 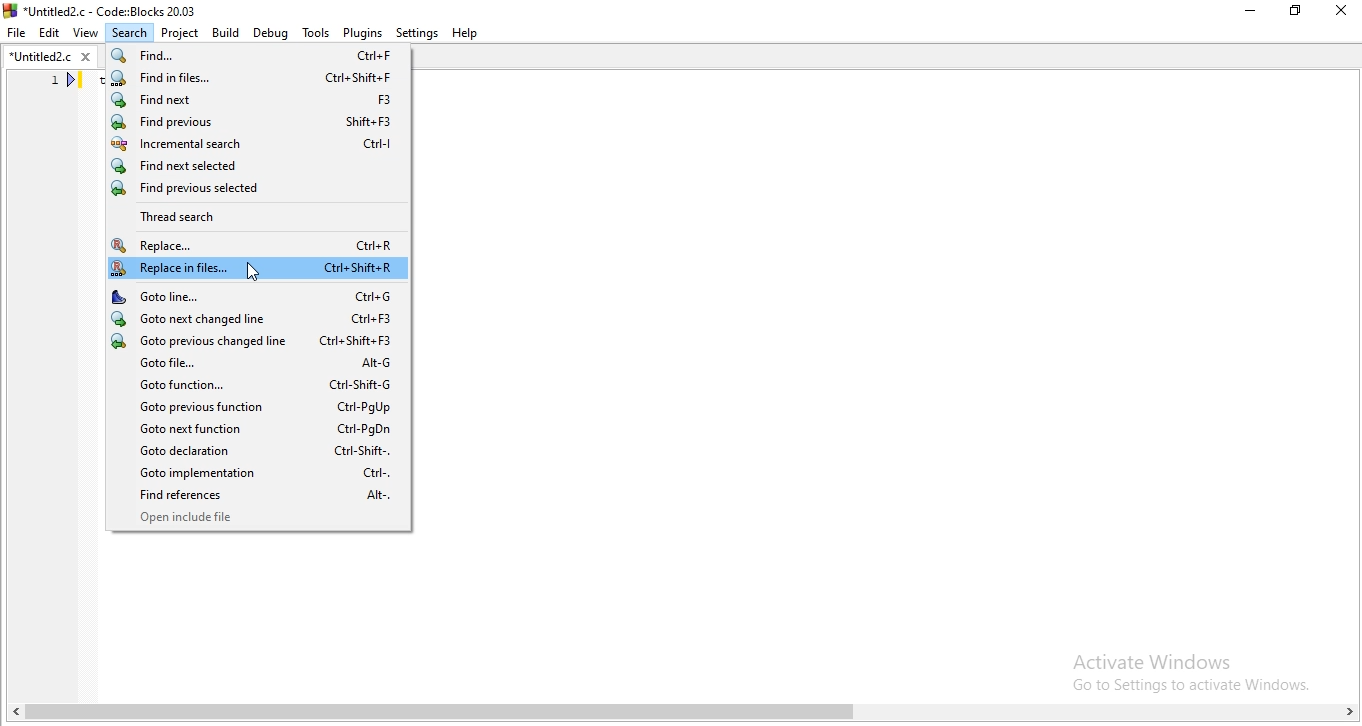 I want to click on Cursor, so click(x=253, y=271).